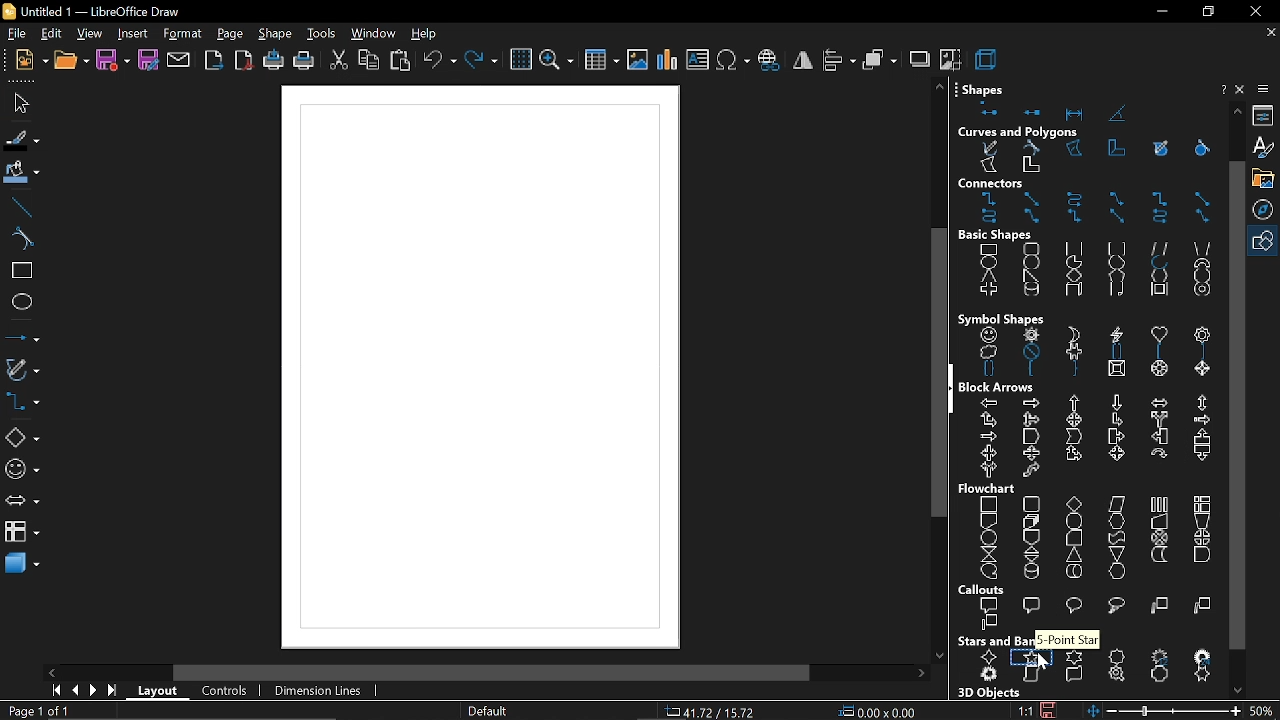 This screenshot has height=720, width=1280. Describe the element at coordinates (950, 60) in the screenshot. I see `crop` at that location.